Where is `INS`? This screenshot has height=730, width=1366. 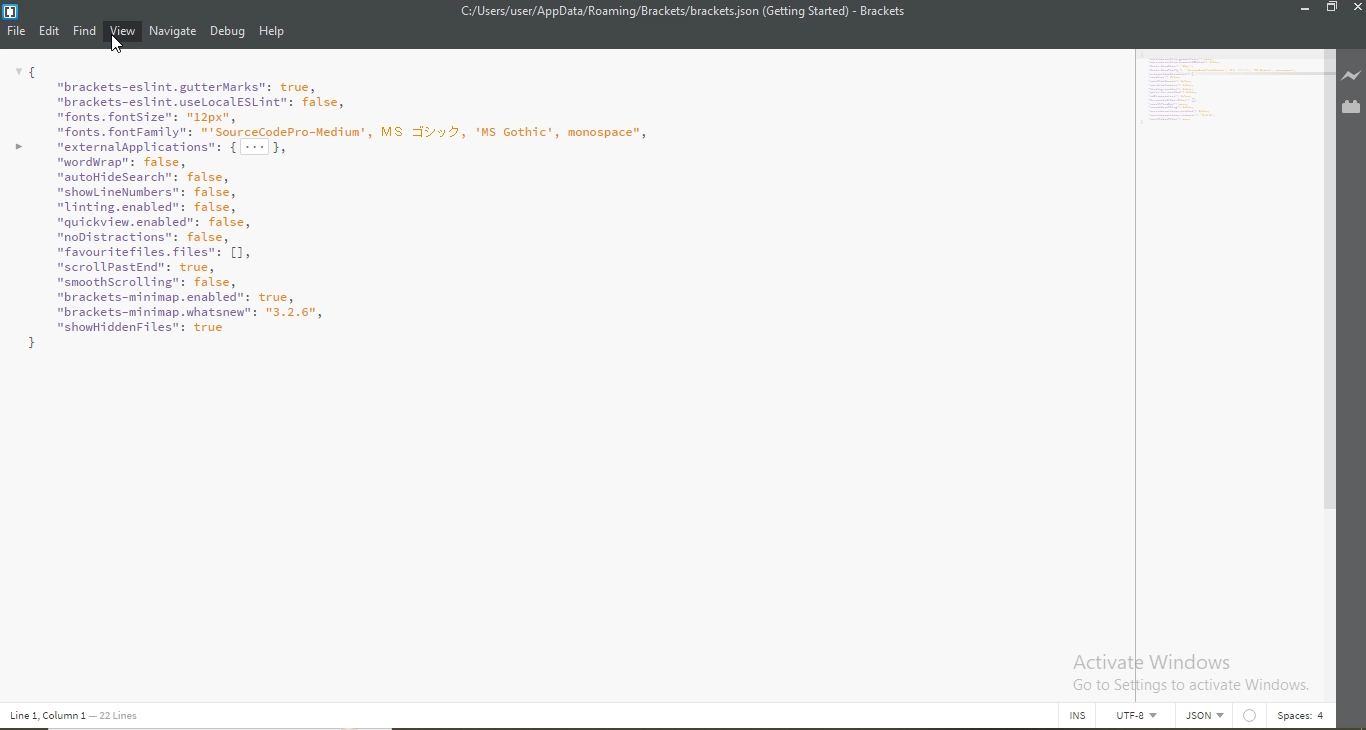 INS is located at coordinates (1079, 716).